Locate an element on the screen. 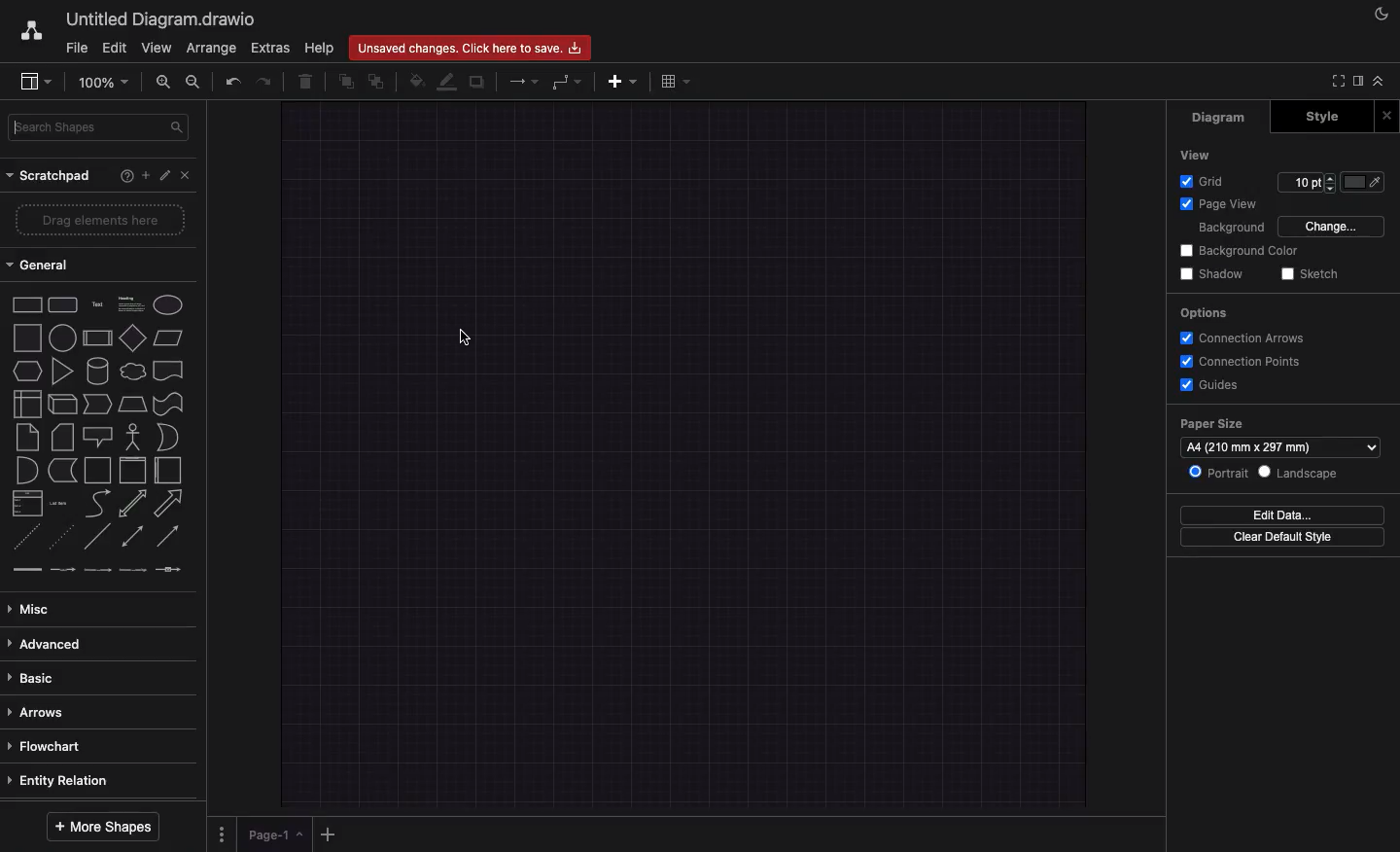 The height and width of the screenshot is (852, 1400). View is located at coordinates (1201, 154).